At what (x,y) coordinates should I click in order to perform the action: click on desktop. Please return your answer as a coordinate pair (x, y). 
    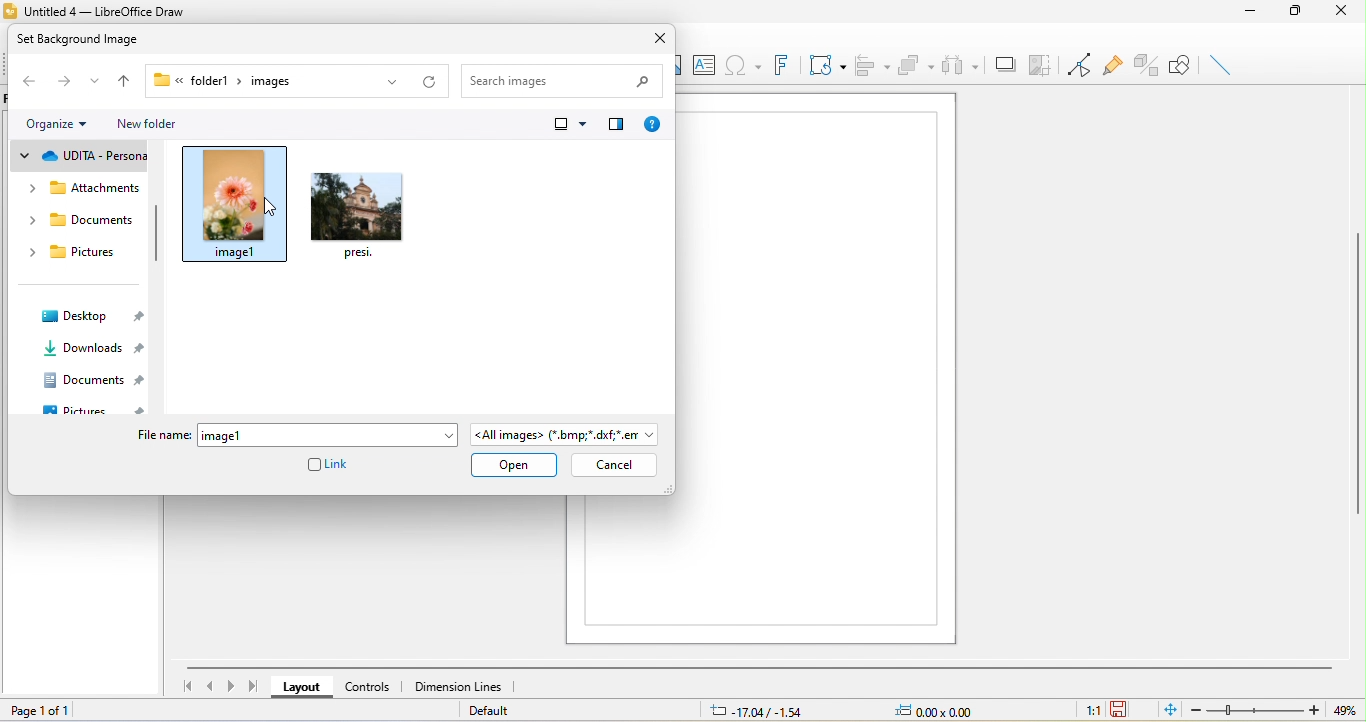
    Looking at the image, I should click on (91, 314).